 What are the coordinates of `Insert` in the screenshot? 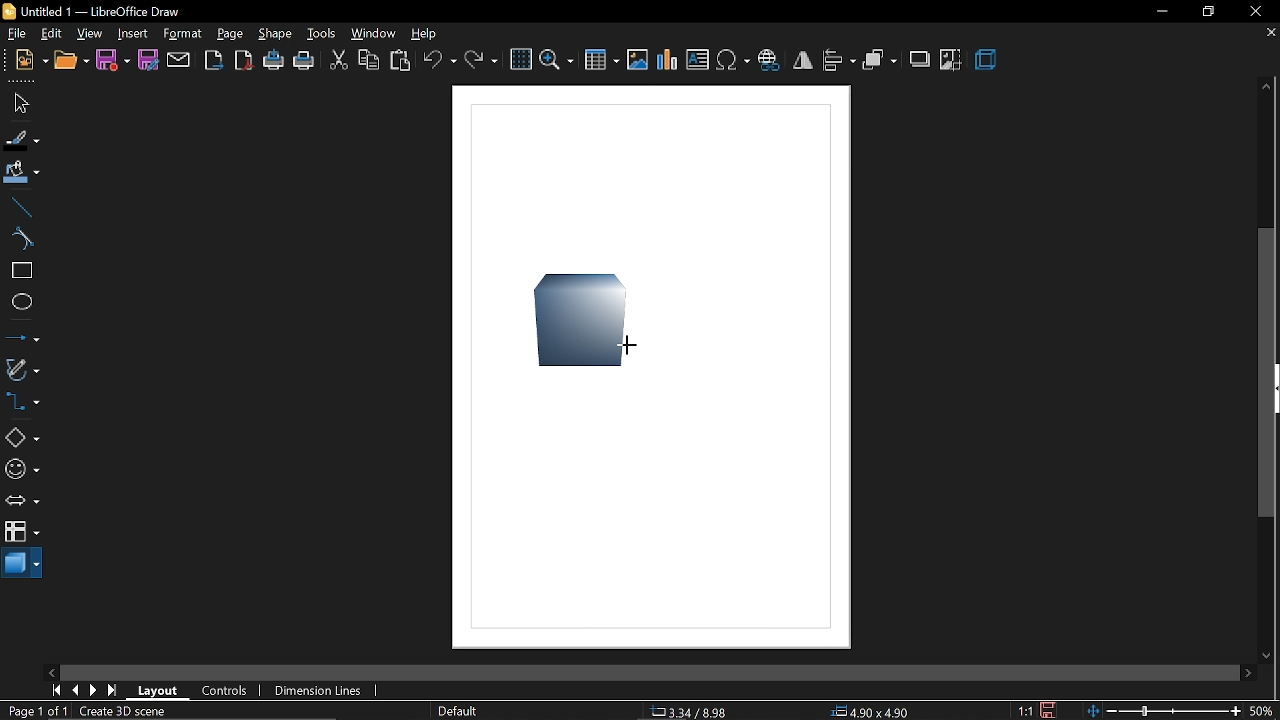 It's located at (133, 34).